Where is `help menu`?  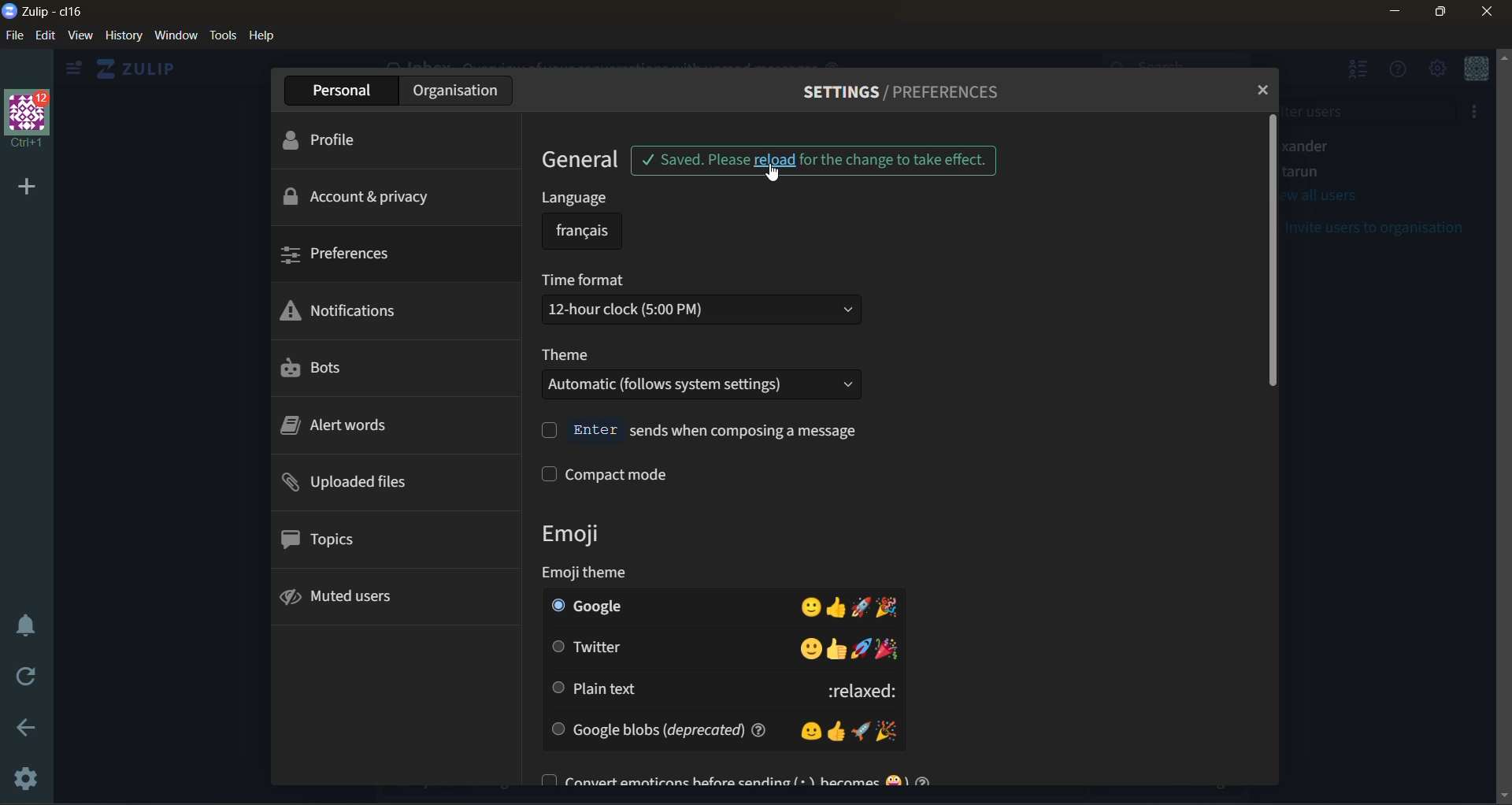 help menu is located at coordinates (1403, 76).